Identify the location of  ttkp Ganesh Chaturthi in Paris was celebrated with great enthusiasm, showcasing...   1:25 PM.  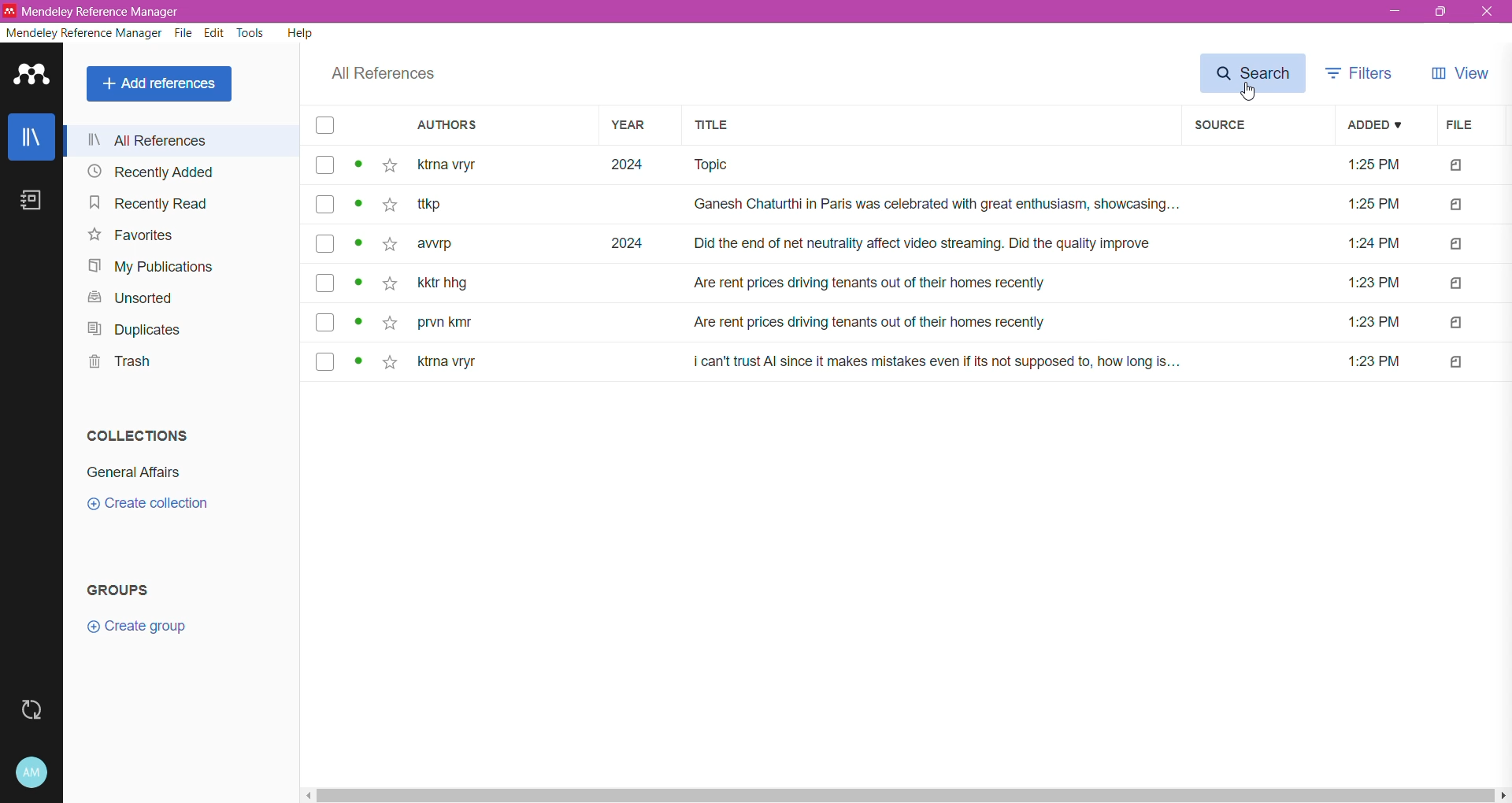
(915, 206).